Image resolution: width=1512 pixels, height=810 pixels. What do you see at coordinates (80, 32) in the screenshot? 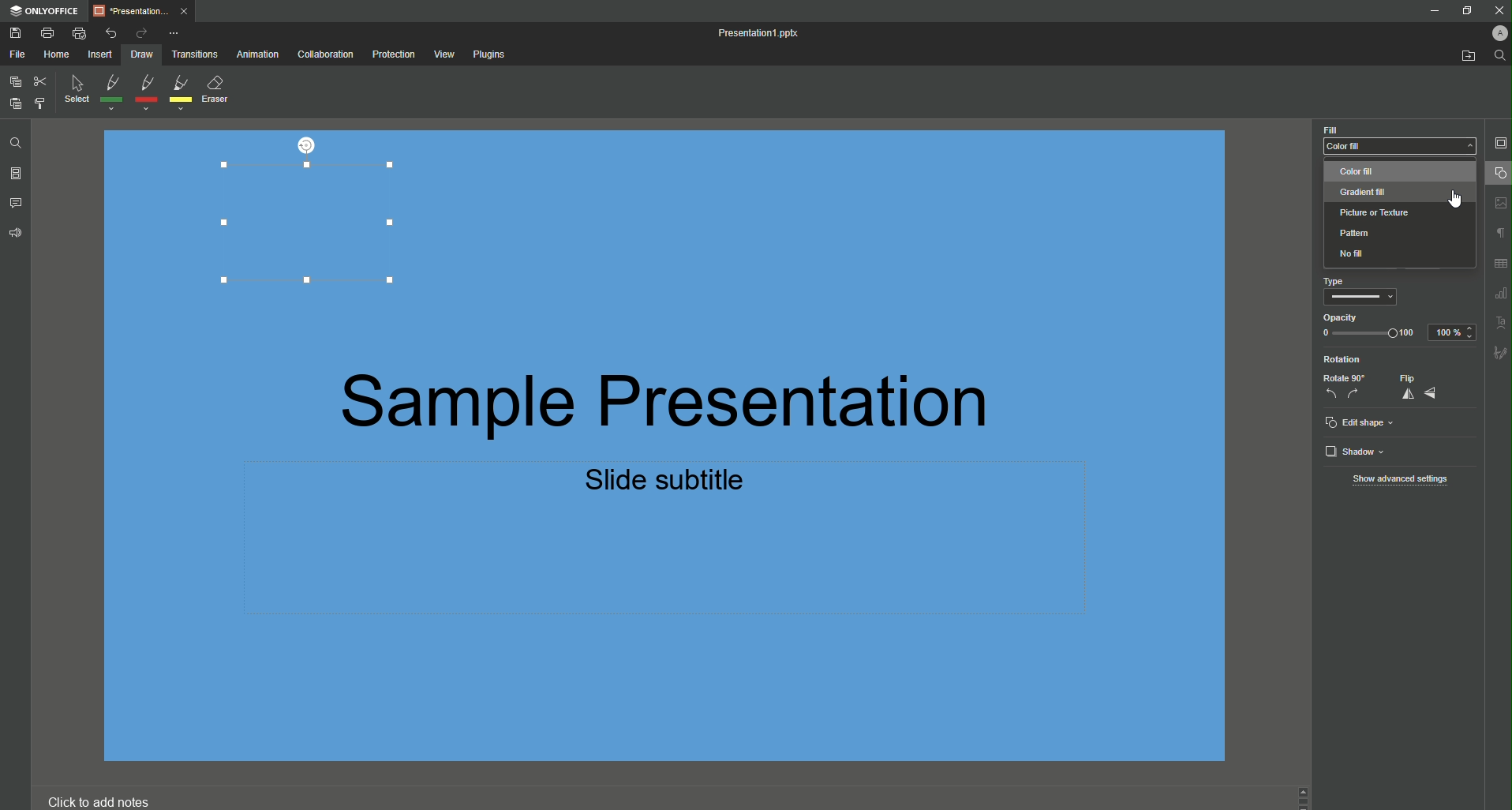
I see `Quick Print` at bounding box center [80, 32].